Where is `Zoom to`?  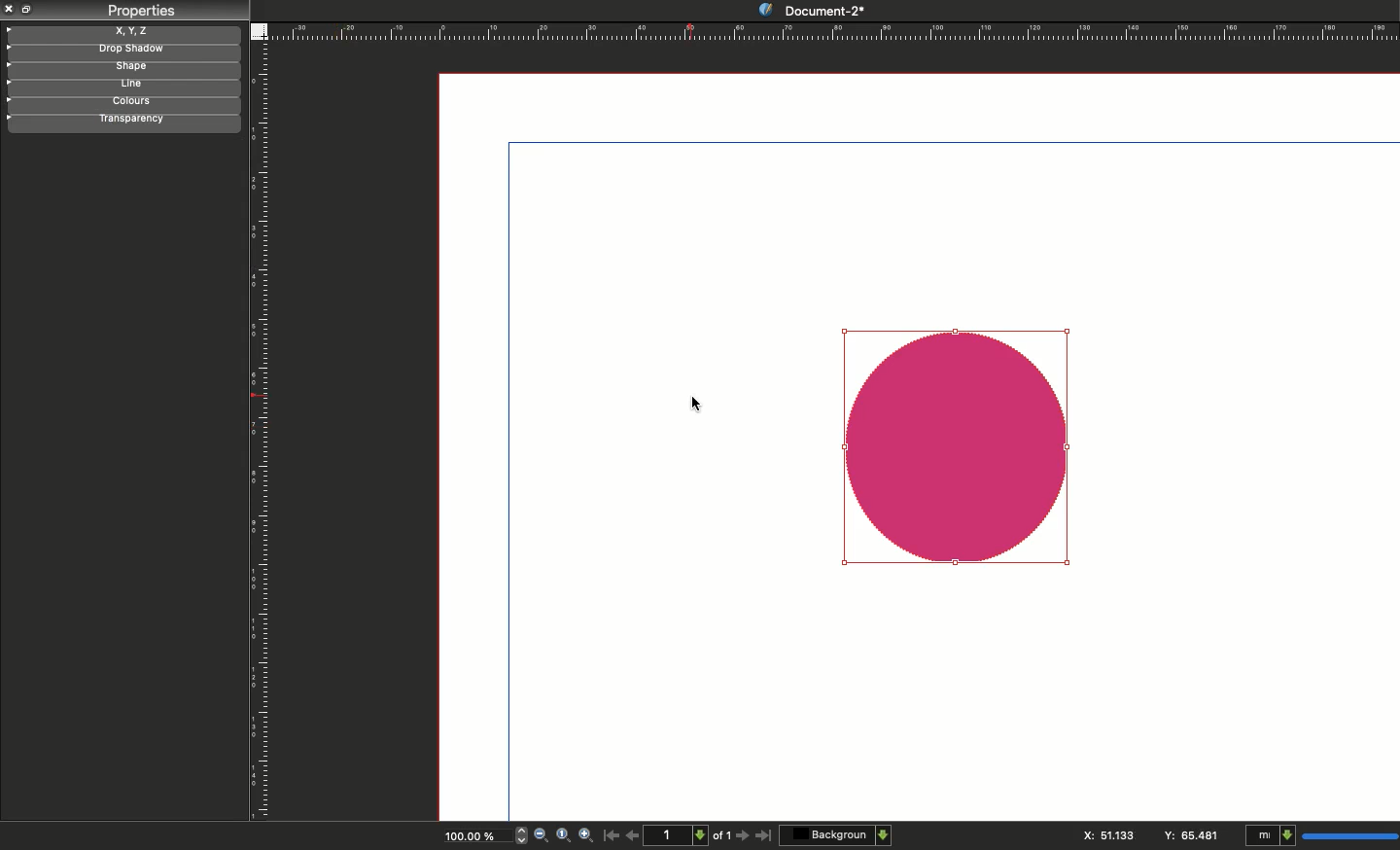 Zoom to is located at coordinates (563, 834).